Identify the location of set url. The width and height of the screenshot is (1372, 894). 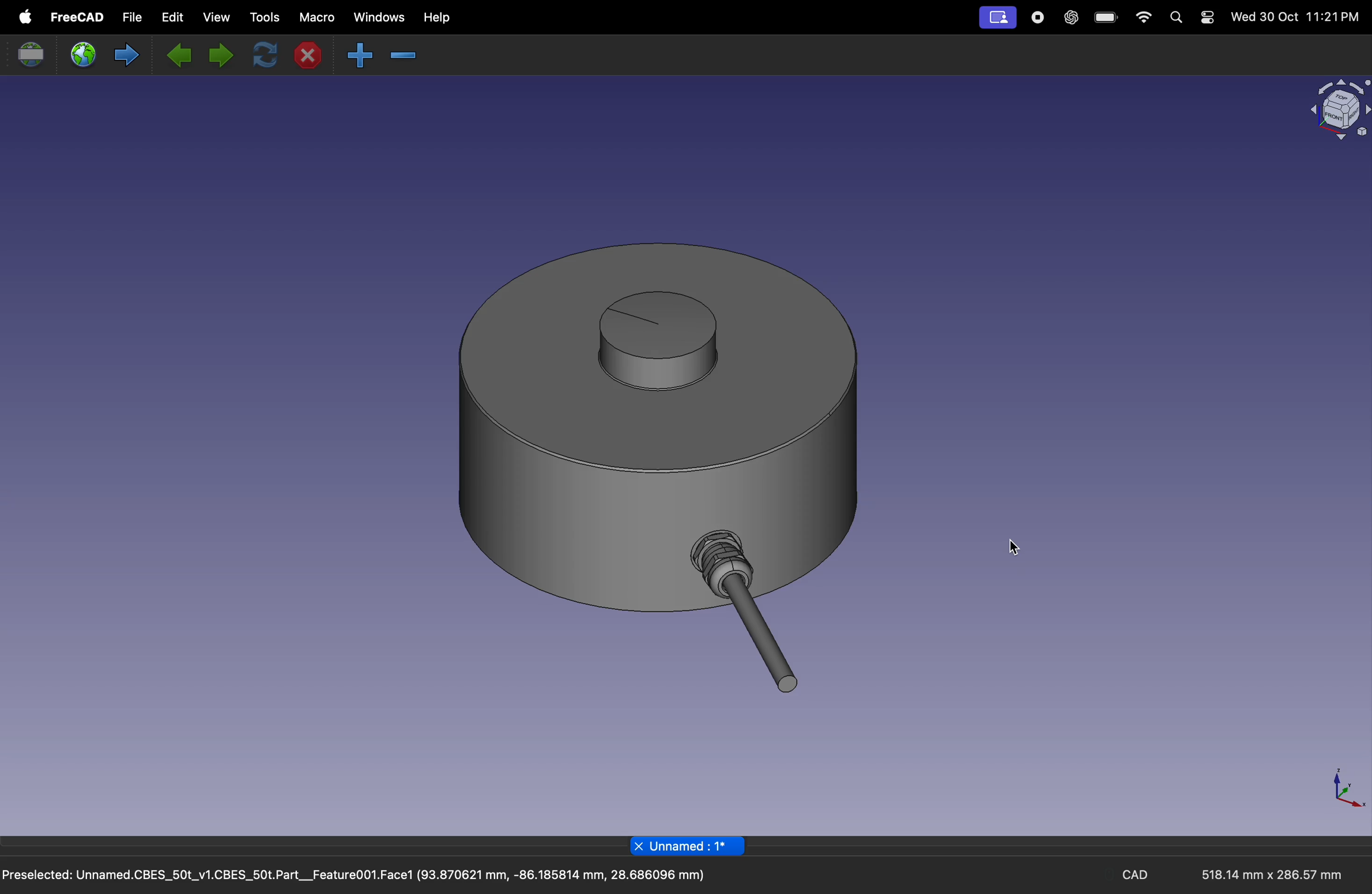
(31, 55).